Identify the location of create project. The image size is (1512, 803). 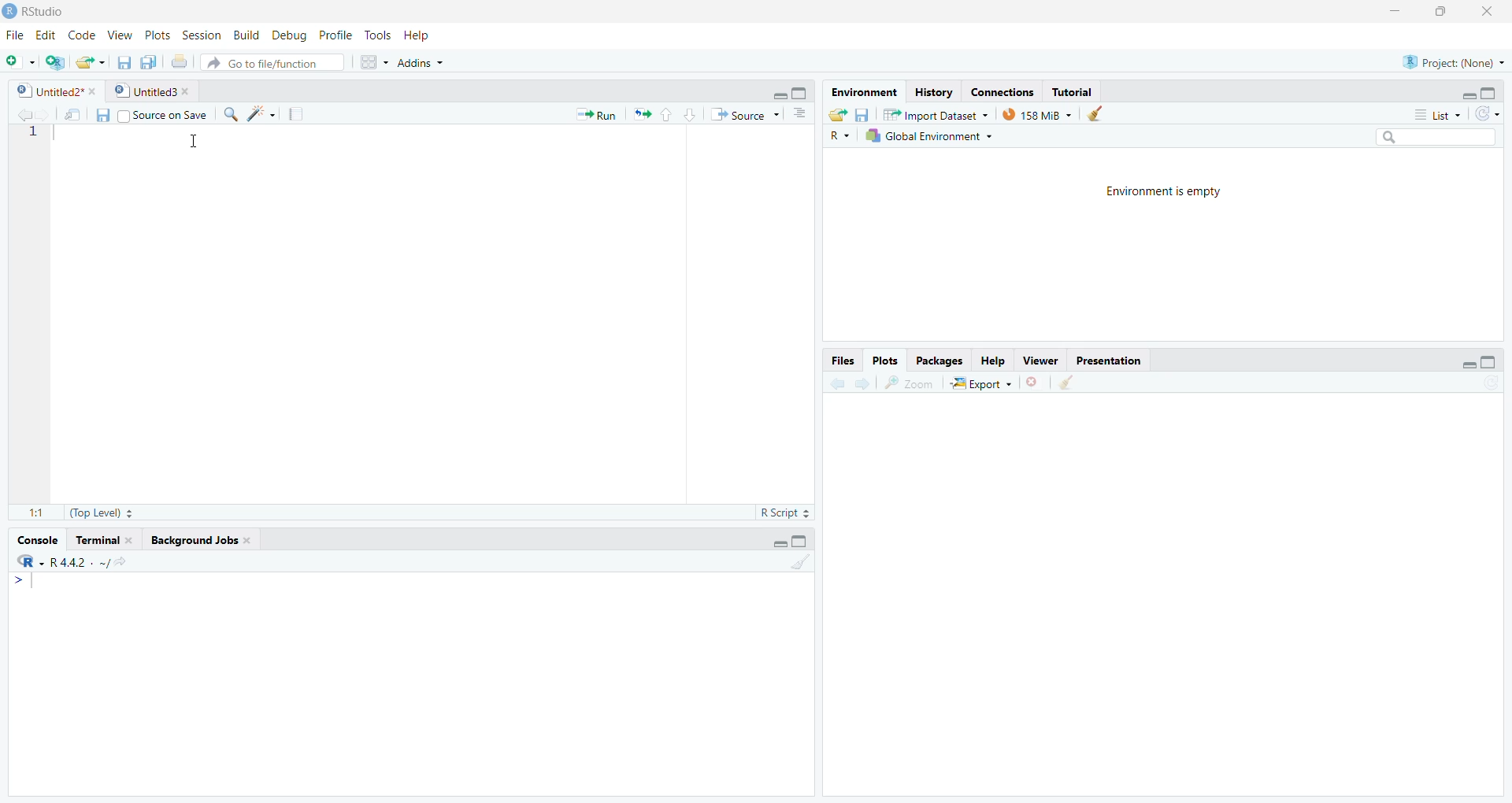
(50, 60).